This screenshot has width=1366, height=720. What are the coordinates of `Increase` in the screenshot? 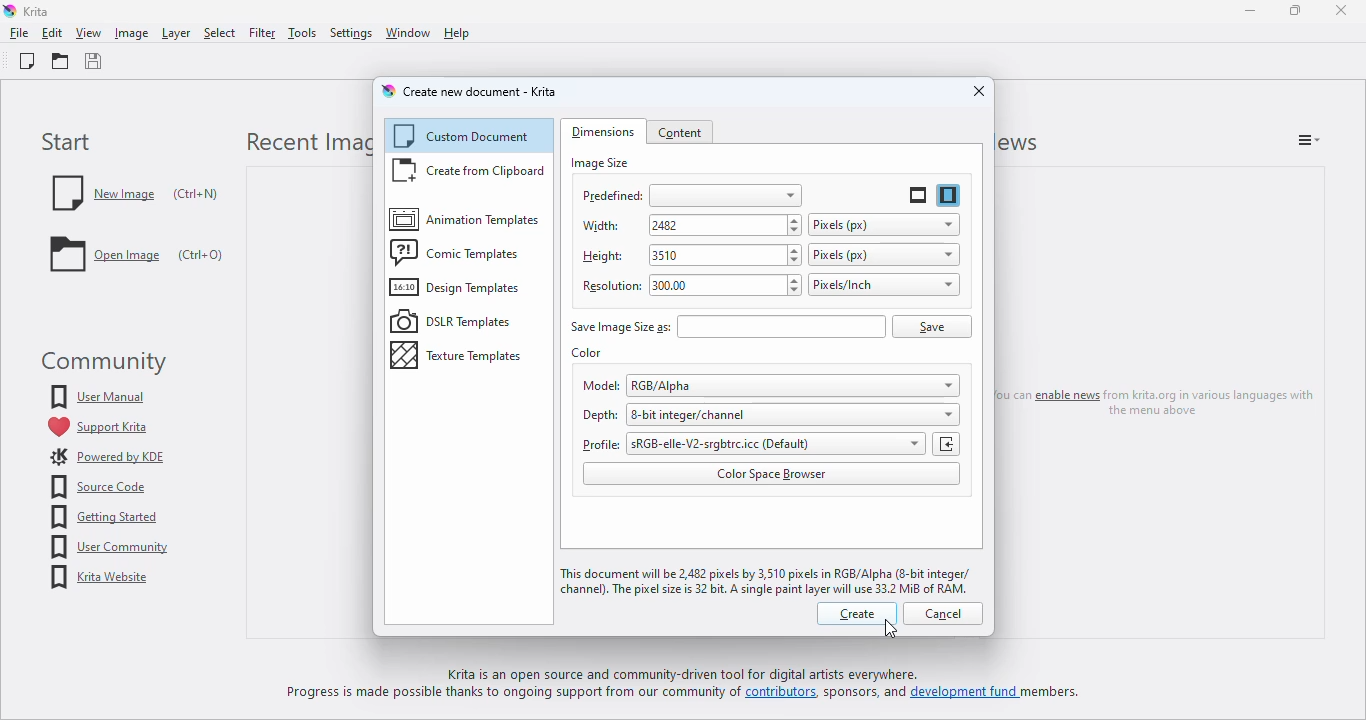 It's located at (791, 250).